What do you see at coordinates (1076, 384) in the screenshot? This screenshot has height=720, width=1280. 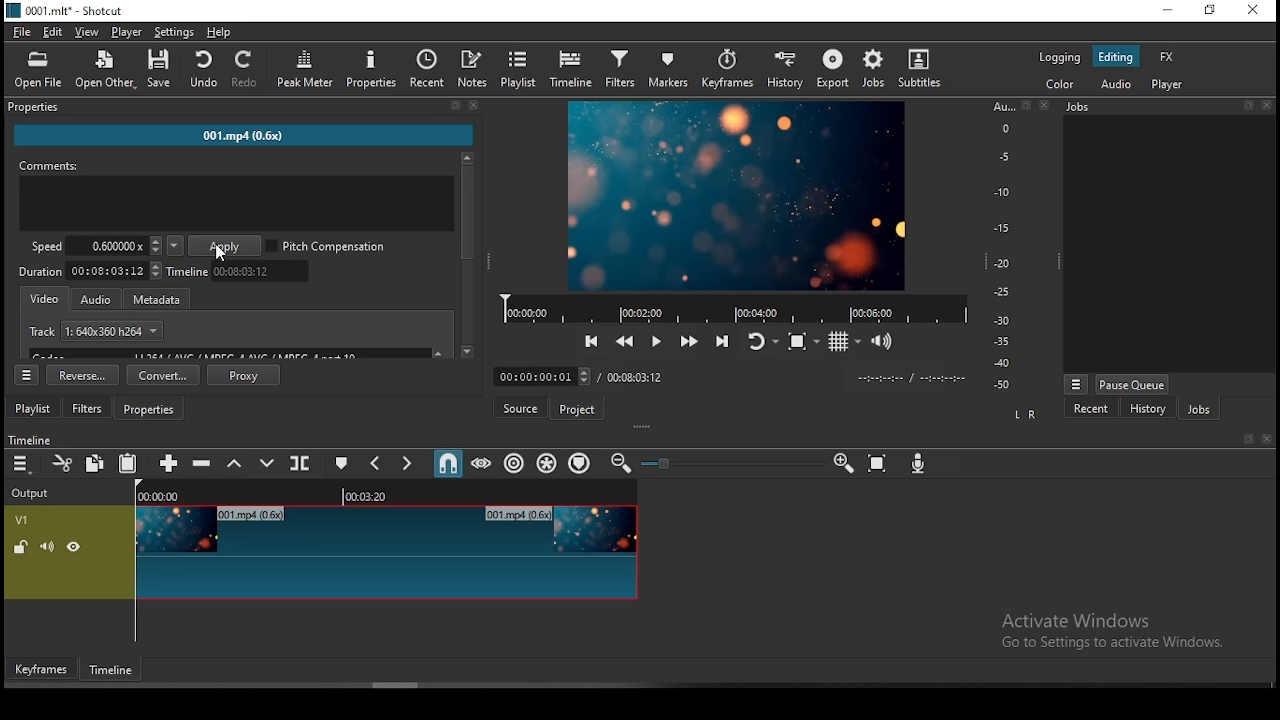 I see `view menu` at bounding box center [1076, 384].